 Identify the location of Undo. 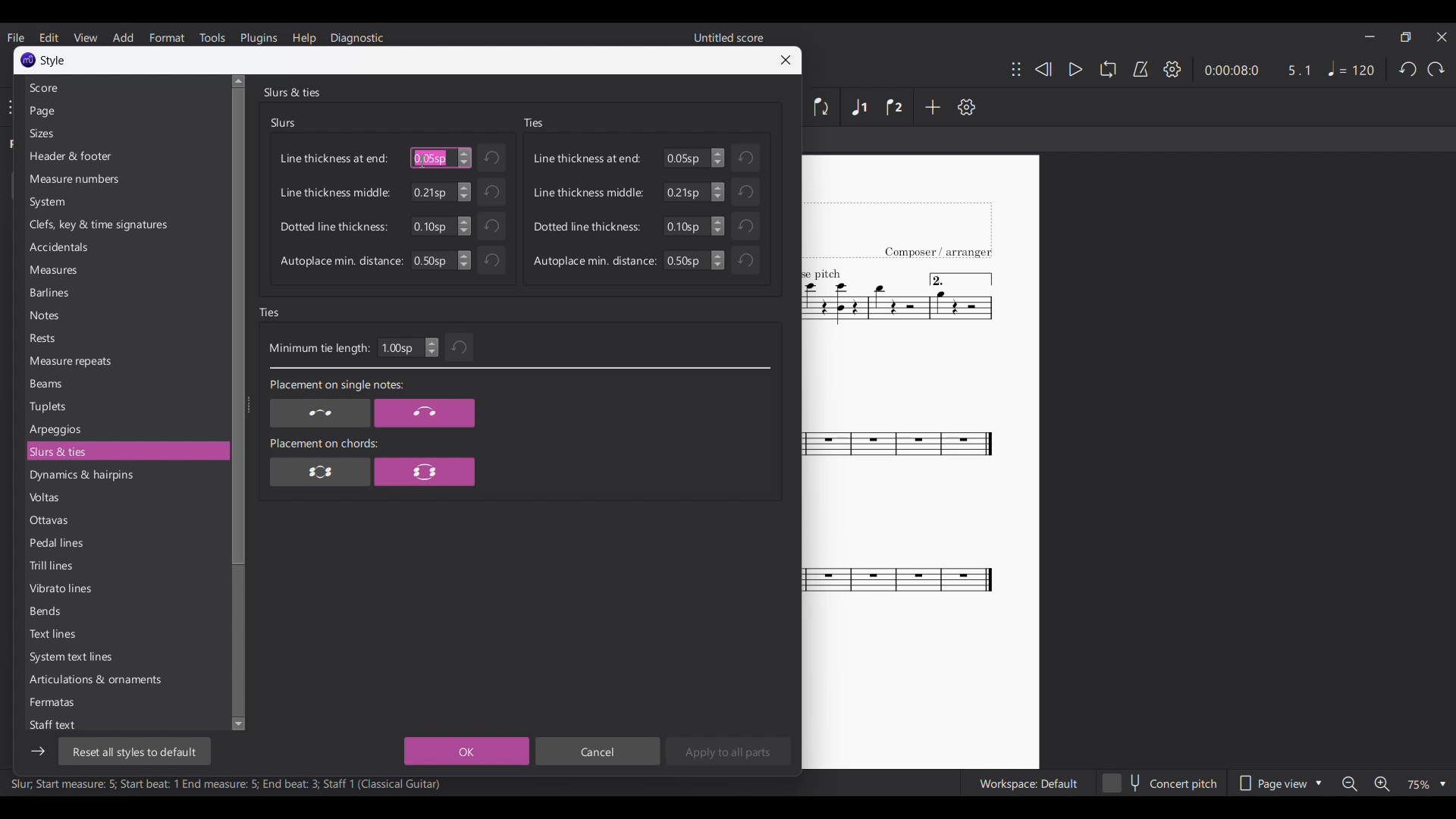
(745, 158).